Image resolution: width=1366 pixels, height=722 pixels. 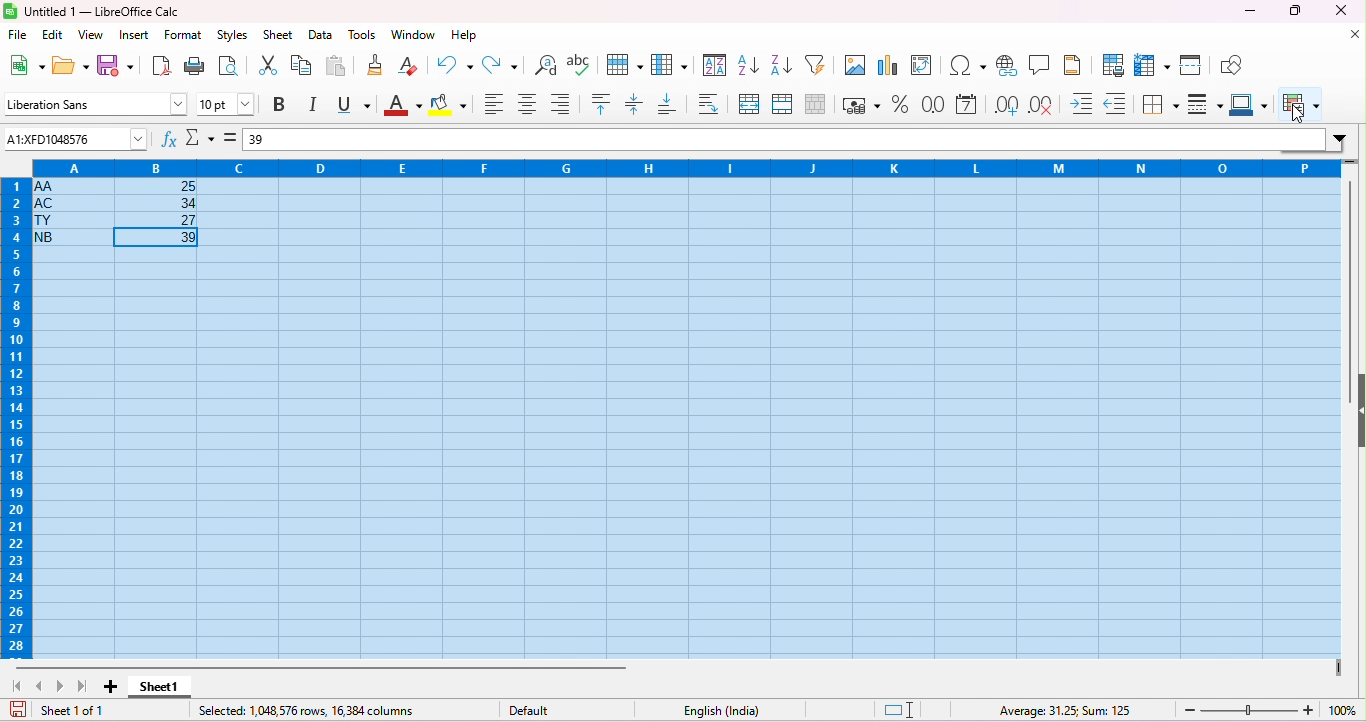 I want to click on define print area, so click(x=1114, y=66).